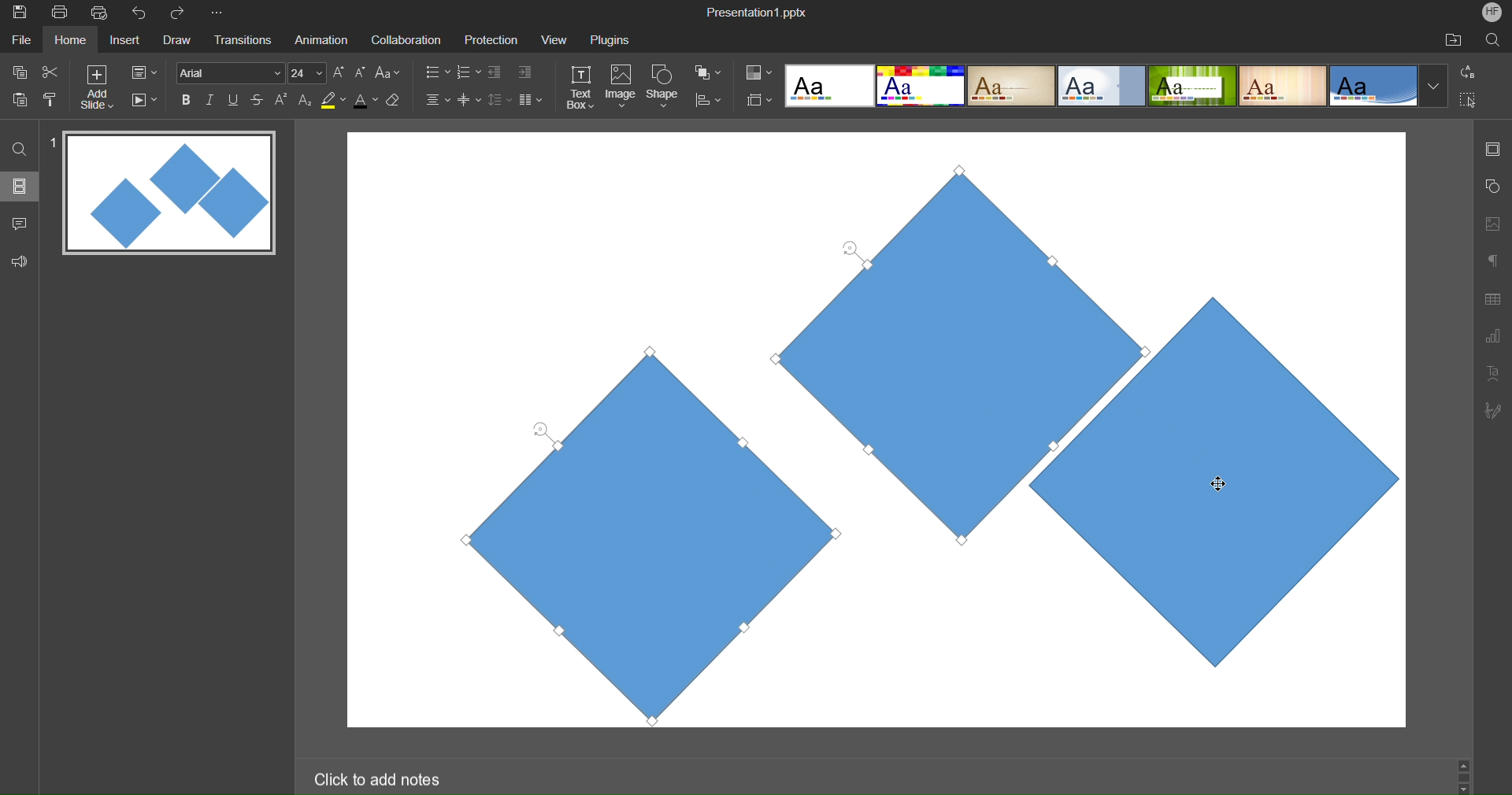  I want to click on Playback, so click(143, 101).